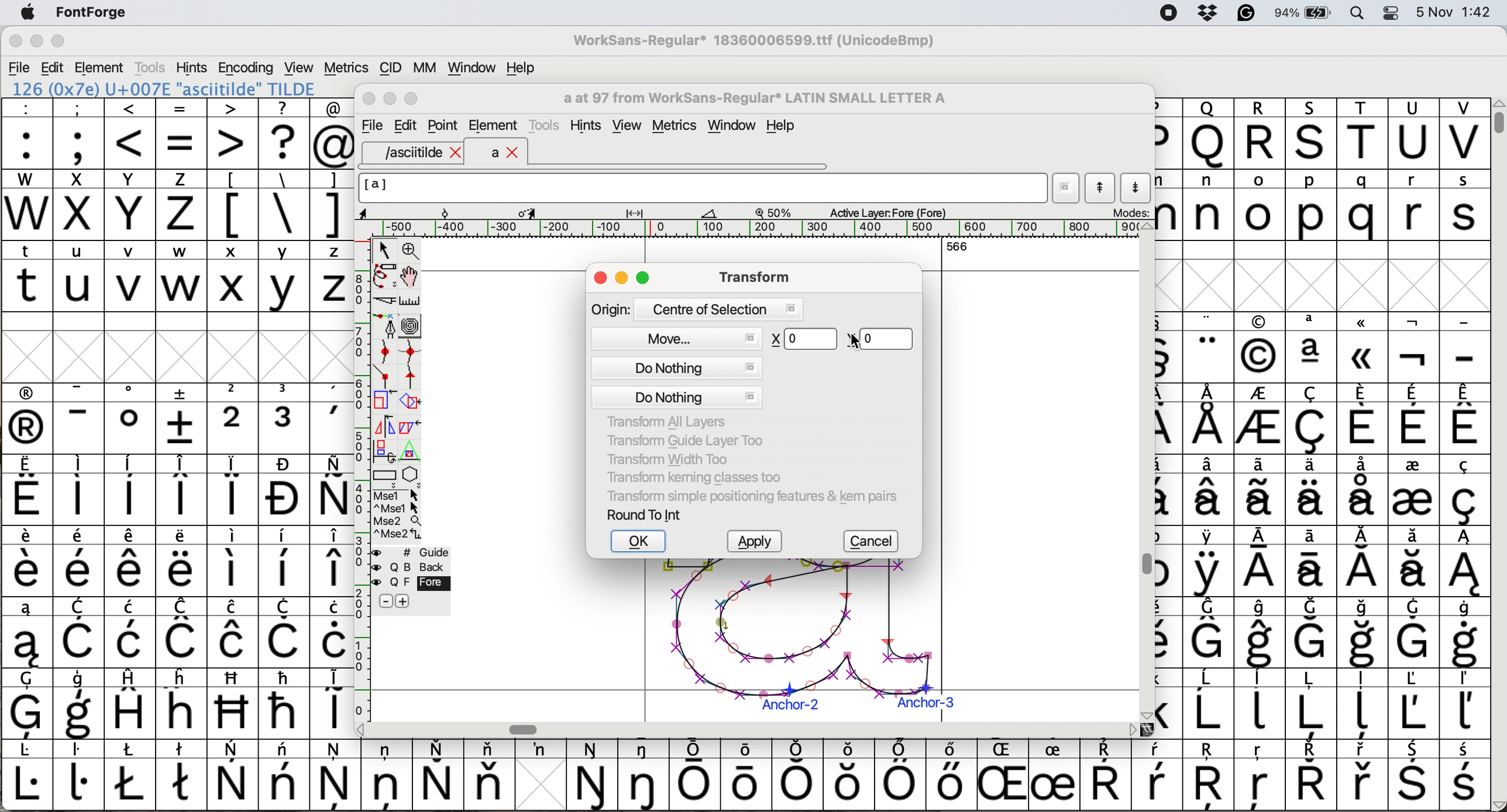 Image resolution: width=1507 pixels, height=812 pixels. What do you see at coordinates (386, 602) in the screenshot?
I see `remove` at bounding box center [386, 602].